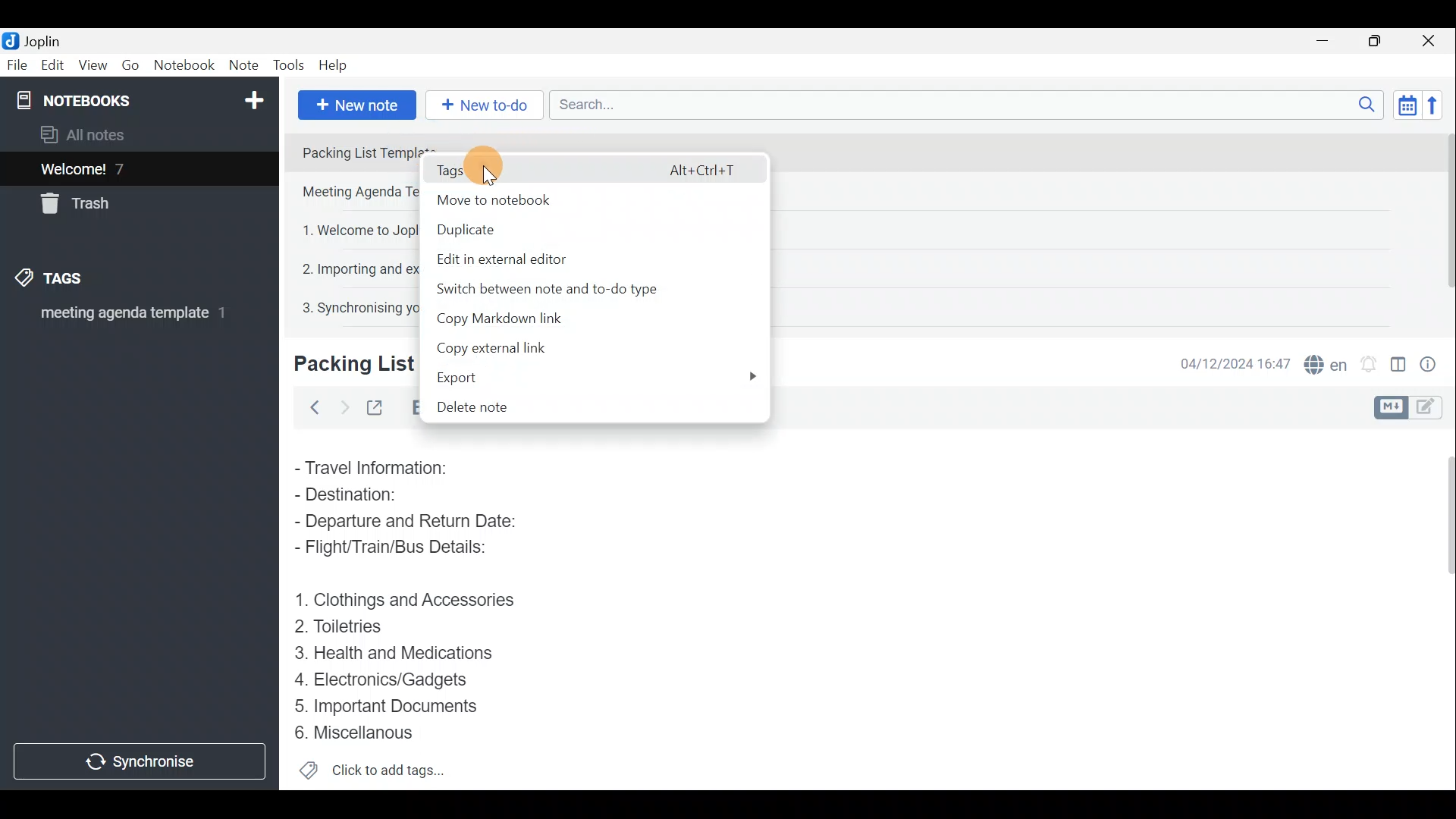 The image size is (1456, 819). I want to click on Toggle sort order field, so click(1402, 105).